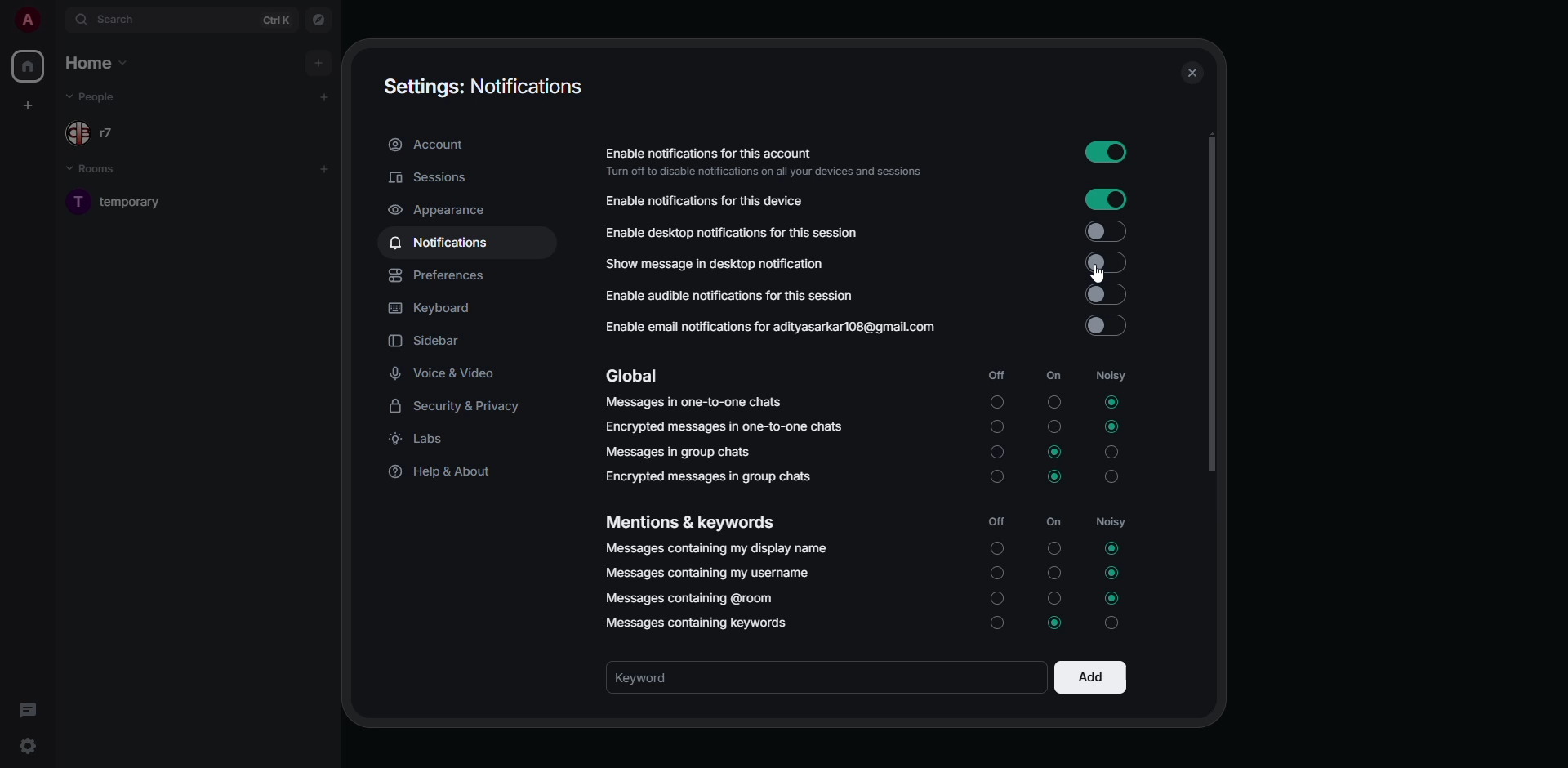 This screenshot has width=1568, height=768. Describe the element at coordinates (1057, 475) in the screenshot. I see `selected` at that location.